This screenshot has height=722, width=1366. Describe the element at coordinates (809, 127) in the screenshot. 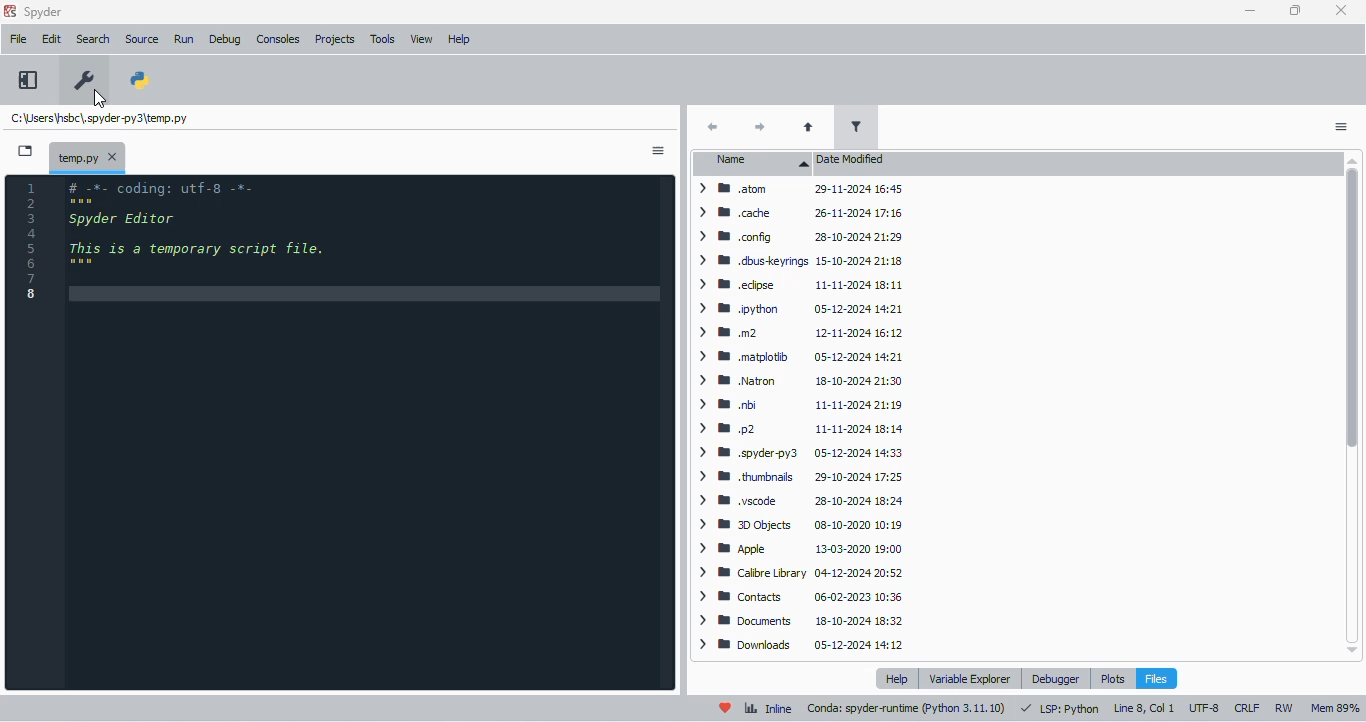

I see `parent` at that location.